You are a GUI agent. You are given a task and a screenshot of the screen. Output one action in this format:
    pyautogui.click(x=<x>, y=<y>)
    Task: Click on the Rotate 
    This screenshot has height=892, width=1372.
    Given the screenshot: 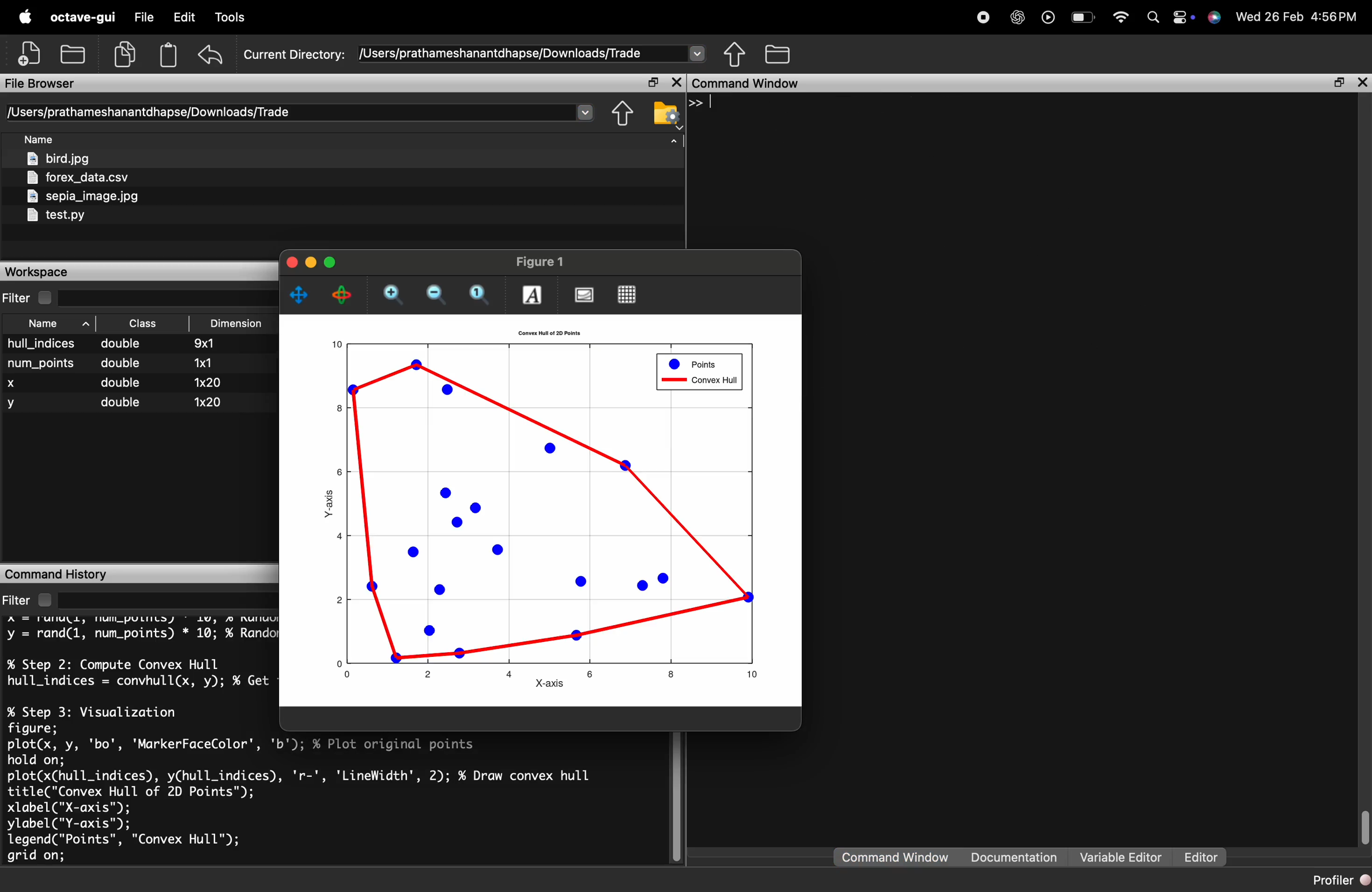 What is the action you would take?
    pyautogui.click(x=344, y=294)
    